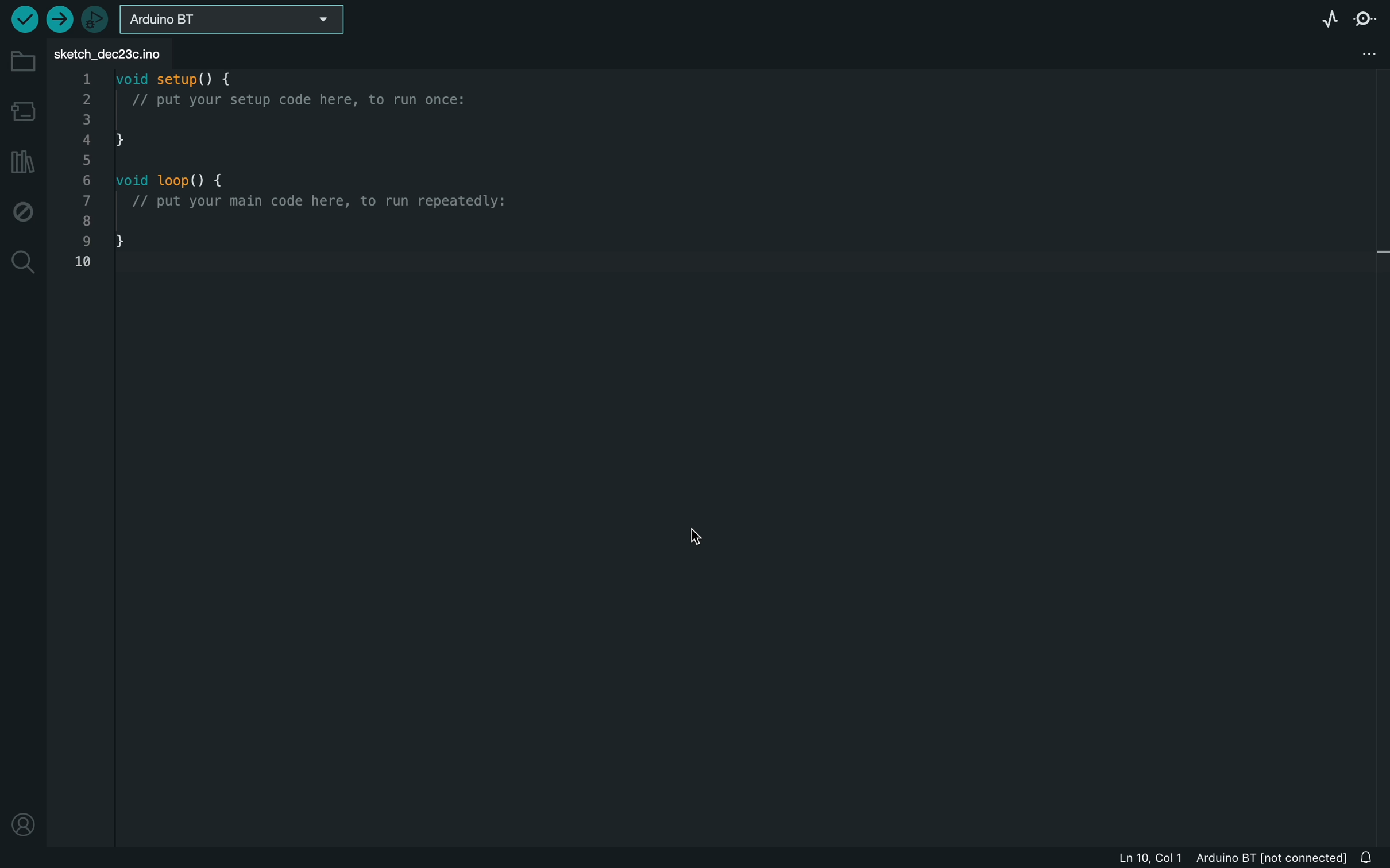 This screenshot has height=868, width=1390. Describe the element at coordinates (118, 53) in the screenshot. I see `file tab` at that location.